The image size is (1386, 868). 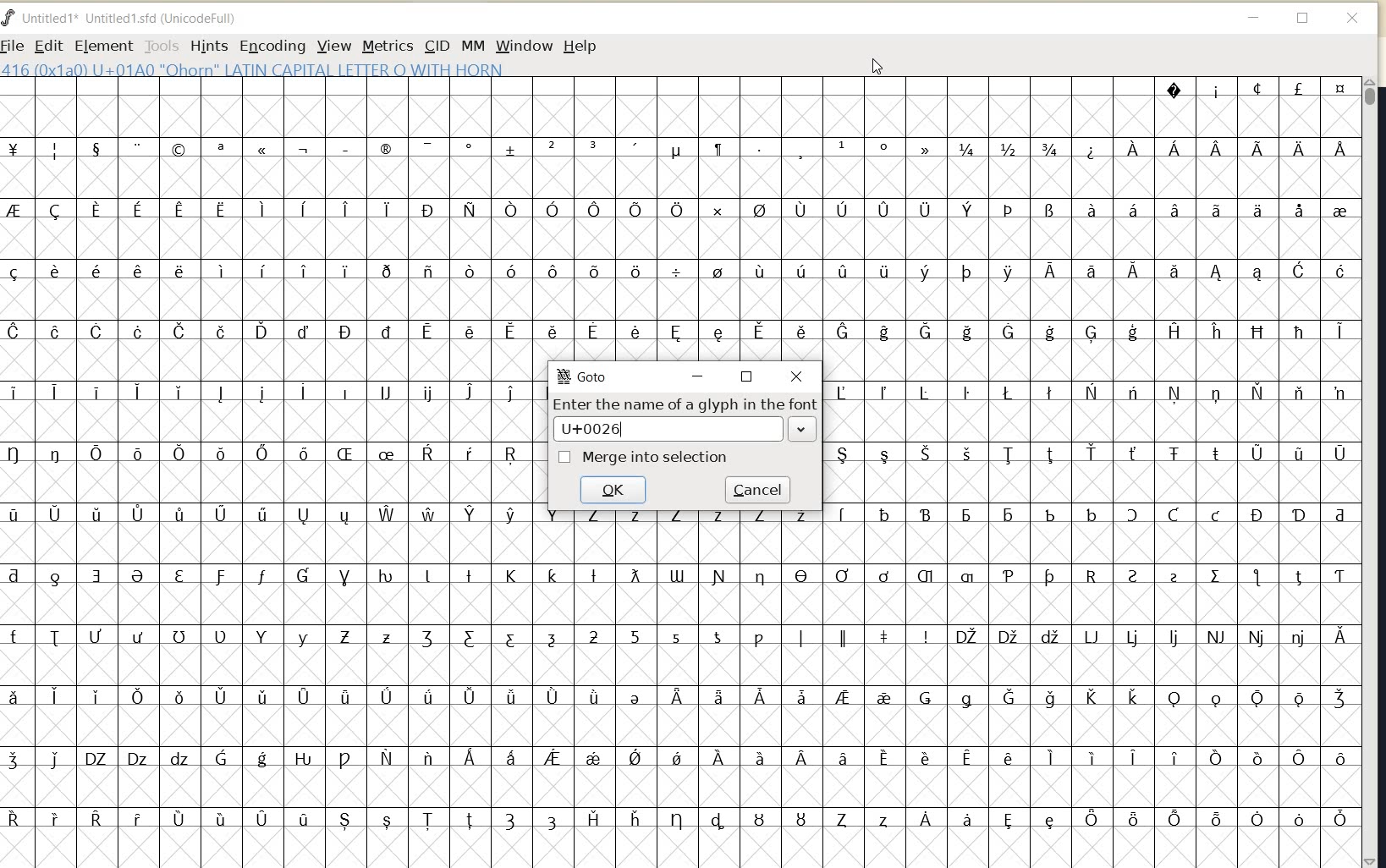 What do you see at coordinates (580, 47) in the screenshot?
I see `HELP` at bounding box center [580, 47].